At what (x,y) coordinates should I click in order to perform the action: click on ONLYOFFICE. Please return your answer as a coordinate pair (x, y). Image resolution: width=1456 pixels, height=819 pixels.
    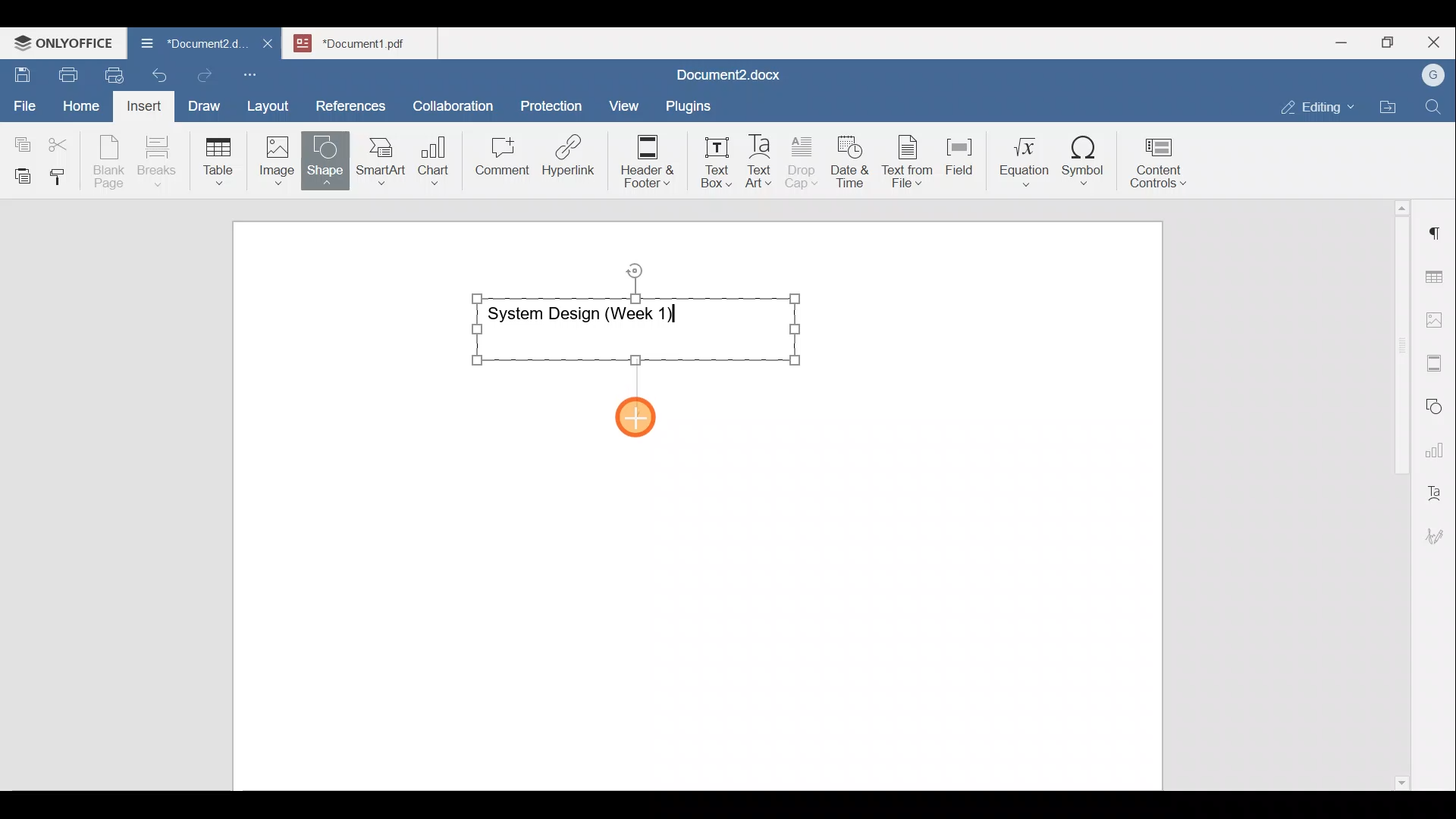
    Looking at the image, I should click on (64, 42).